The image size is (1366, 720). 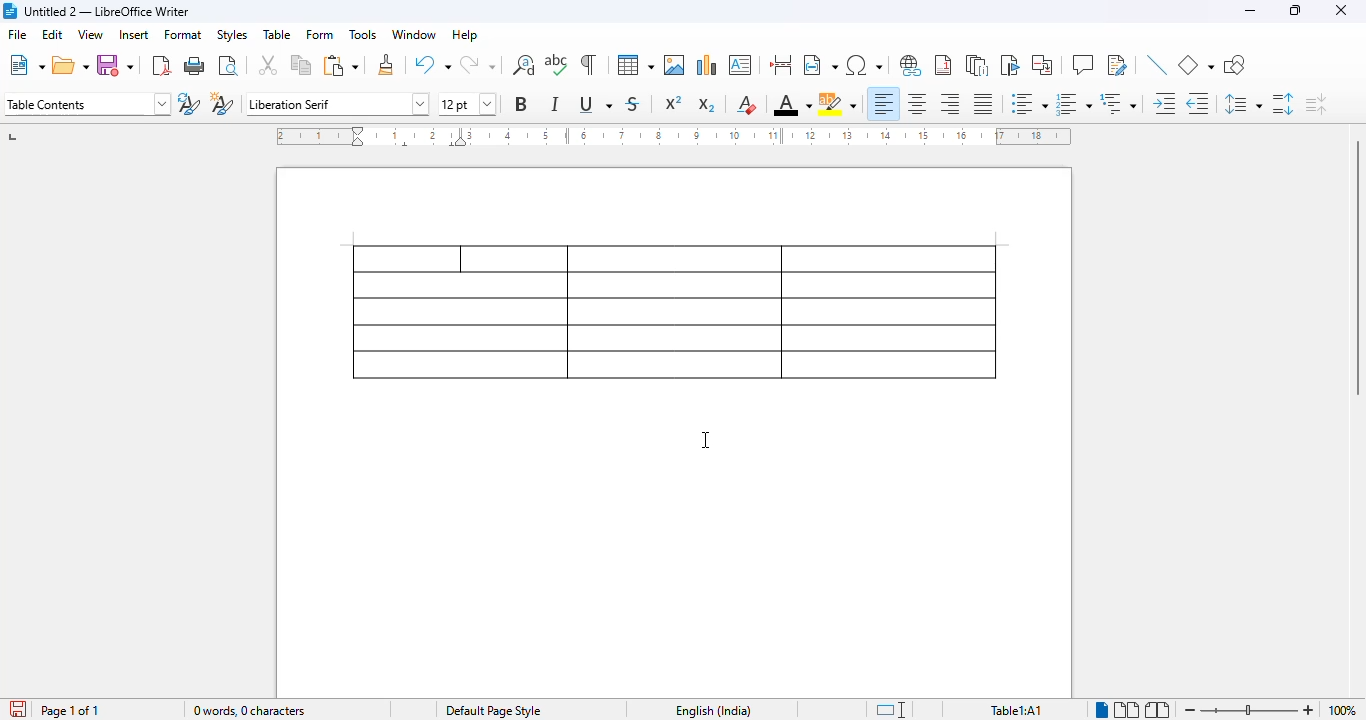 What do you see at coordinates (1029, 103) in the screenshot?
I see `toggle unordered list` at bounding box center [1029, 103].